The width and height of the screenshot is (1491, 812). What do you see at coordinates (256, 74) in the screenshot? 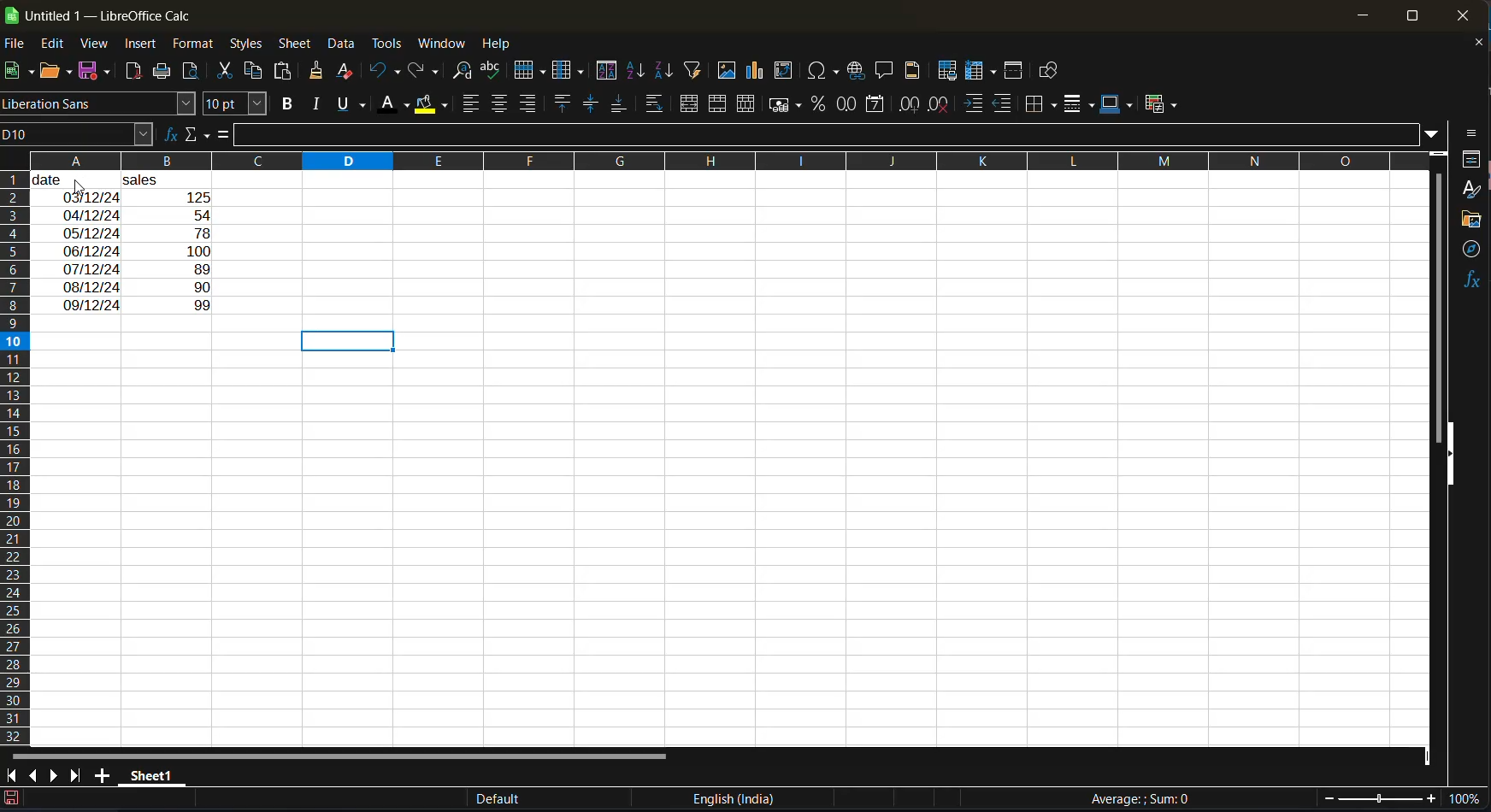
I see `copy` at bounding box center [256, 74].